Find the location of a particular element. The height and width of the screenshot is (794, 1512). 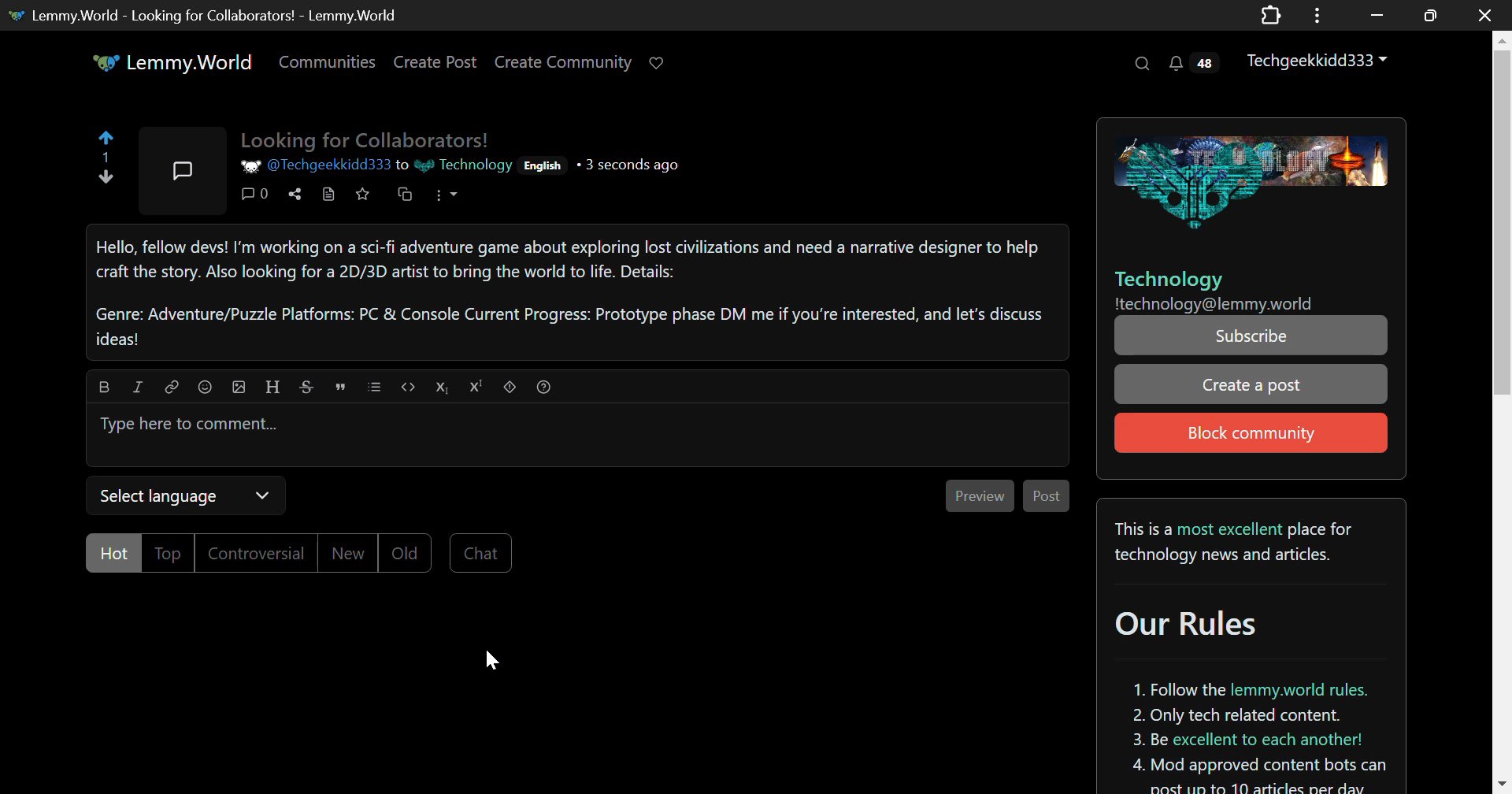

Create a post is located at coordinates (1247, 385).